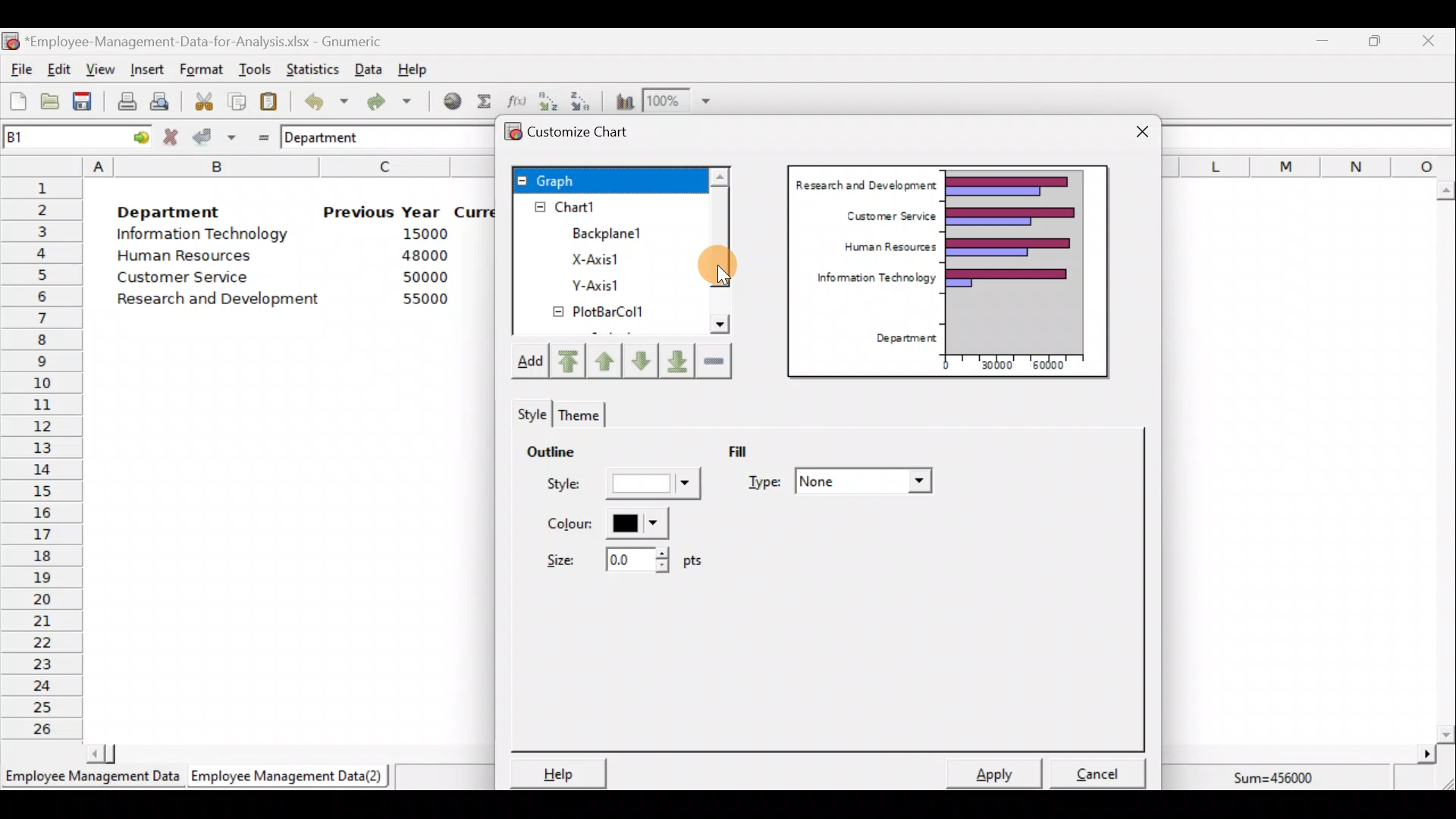 The width and height of the screenshot is (1456, 819). I want to click on Cancel, so click(1104, 770).